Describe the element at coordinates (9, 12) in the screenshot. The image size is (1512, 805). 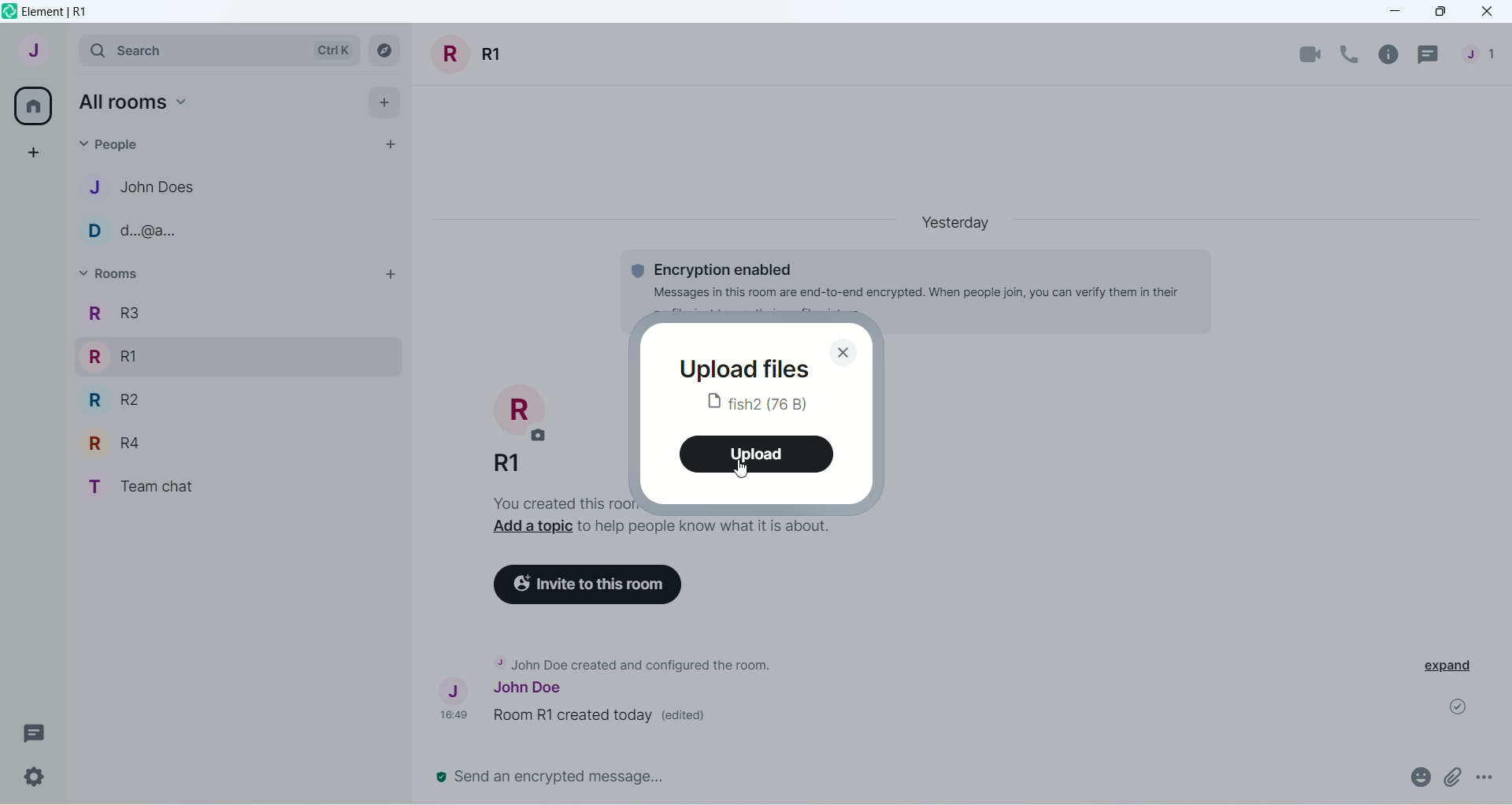
I see `logo` at that location.